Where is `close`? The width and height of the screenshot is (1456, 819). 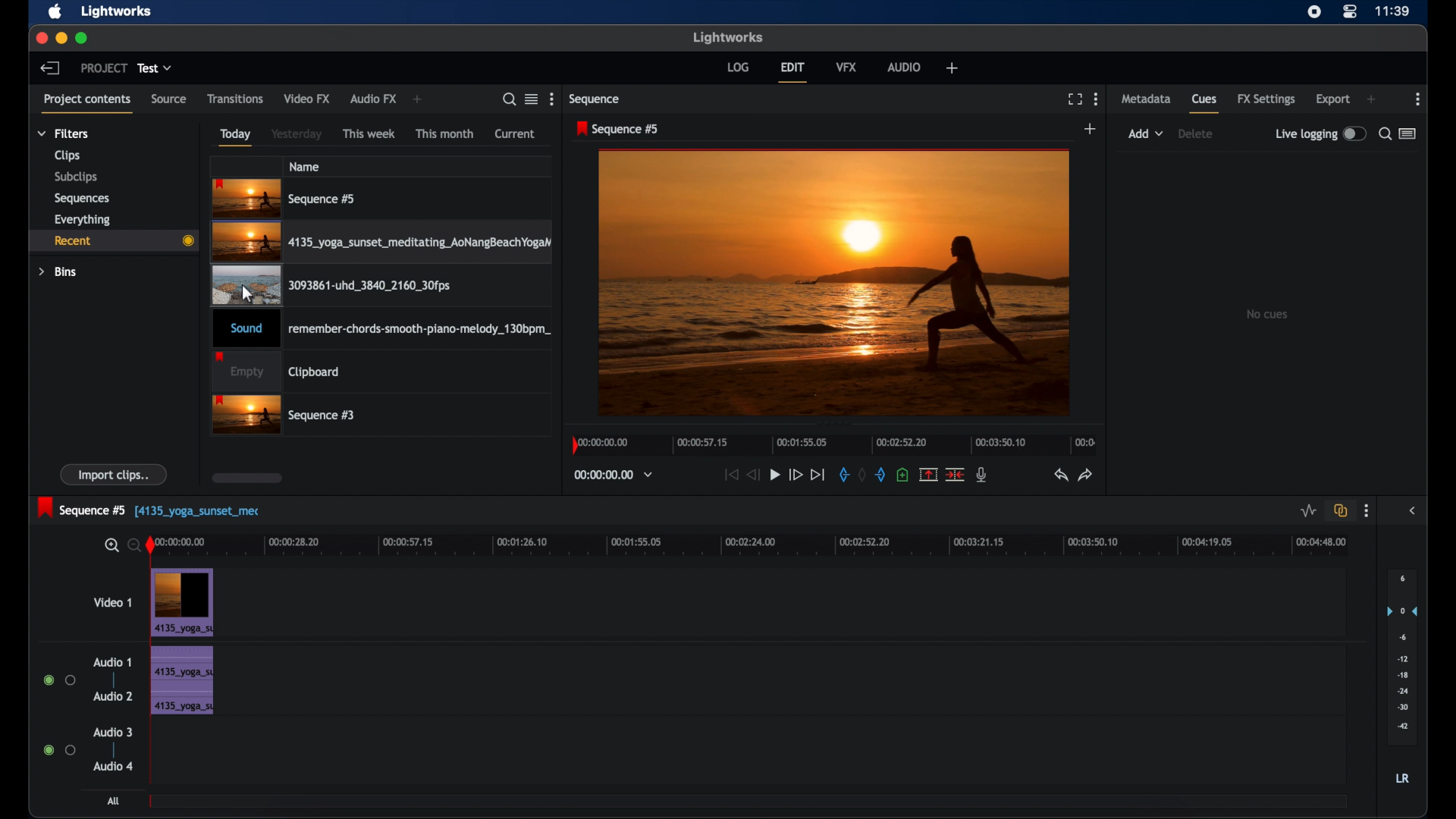 close is located at coordinates (41, 38).